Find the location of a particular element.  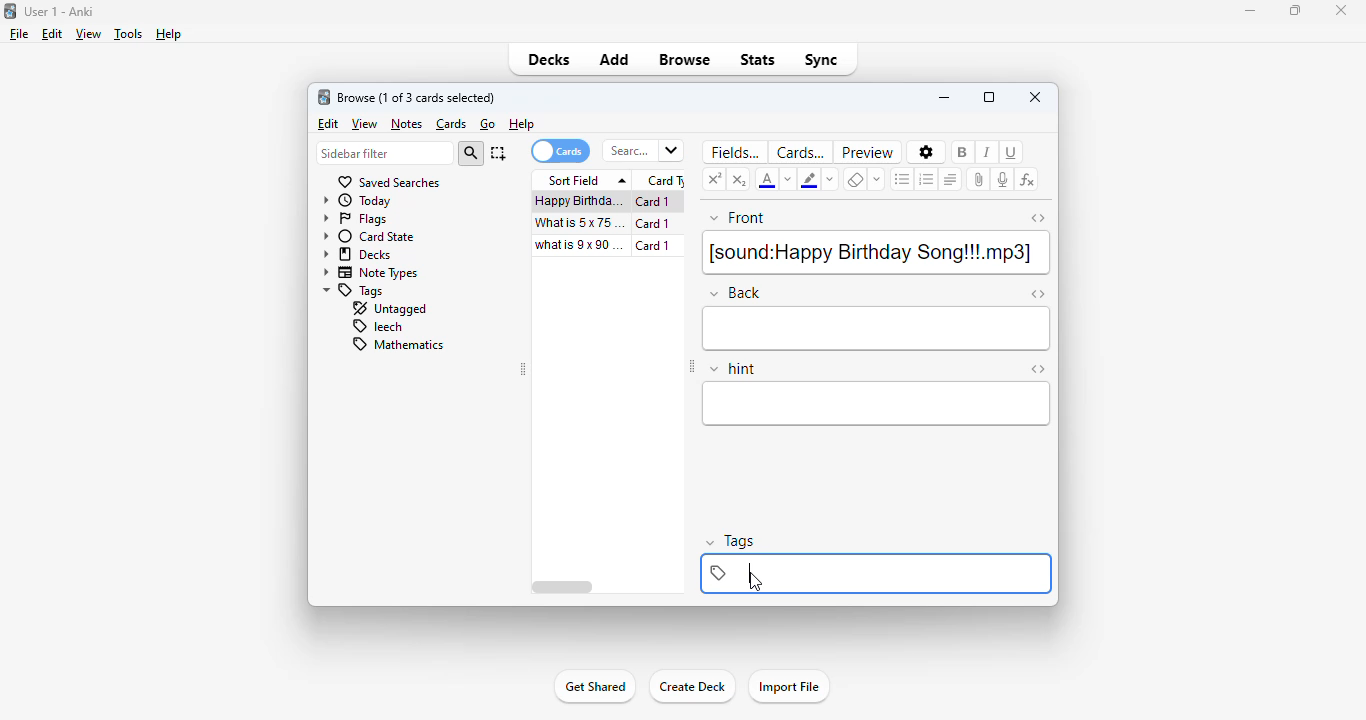

change color is located at coordinates (828, 178).